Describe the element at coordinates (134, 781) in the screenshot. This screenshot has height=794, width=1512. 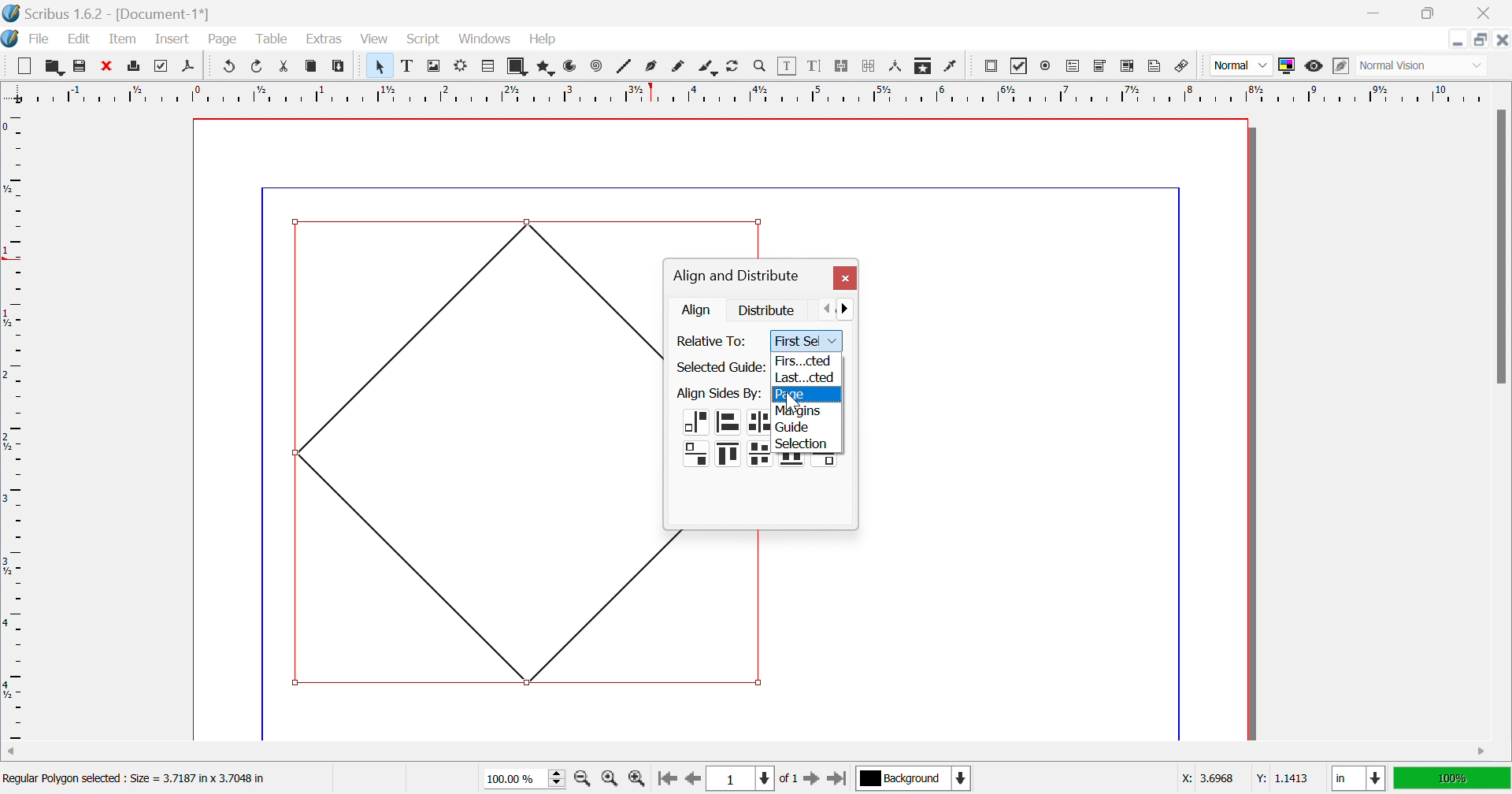
I see `Regular polygon selected: Size = 3.7187 in x 3.7048 in` at that location.